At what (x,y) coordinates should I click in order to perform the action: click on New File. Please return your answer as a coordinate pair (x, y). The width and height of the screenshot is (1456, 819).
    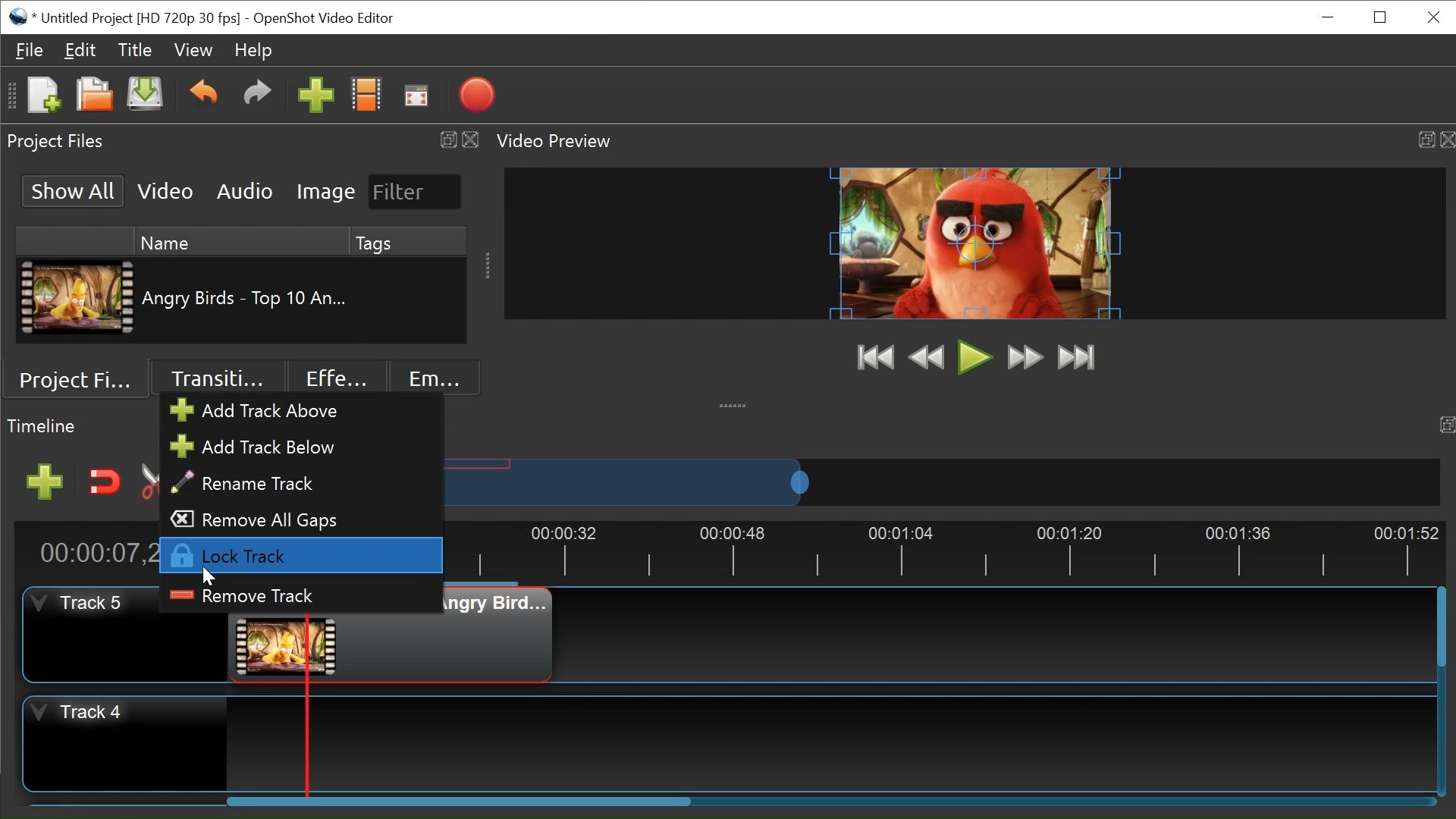
    Looking at the image, I should click on (40, 96).